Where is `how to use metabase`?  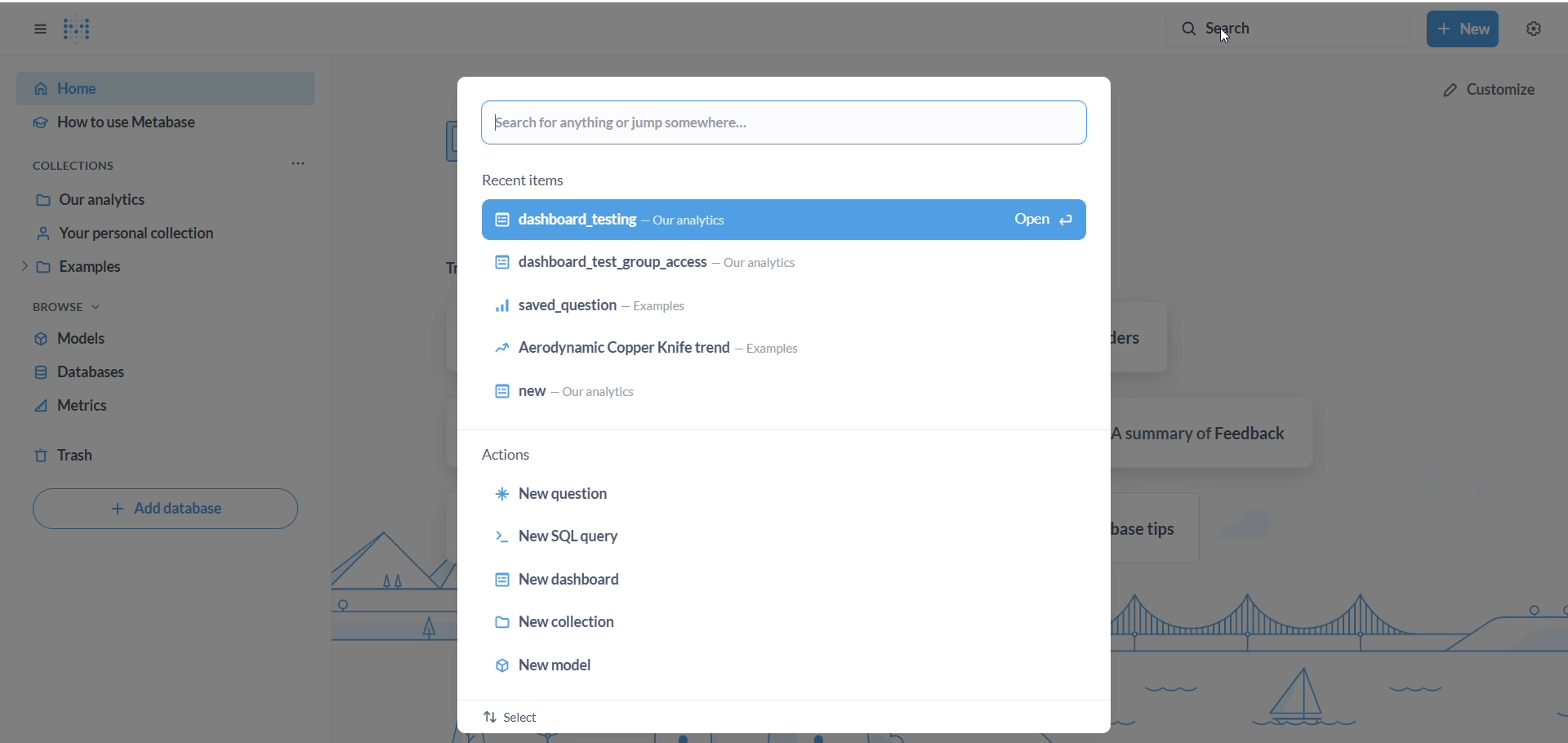
how to use metabase is located at coordinates (158, 122).